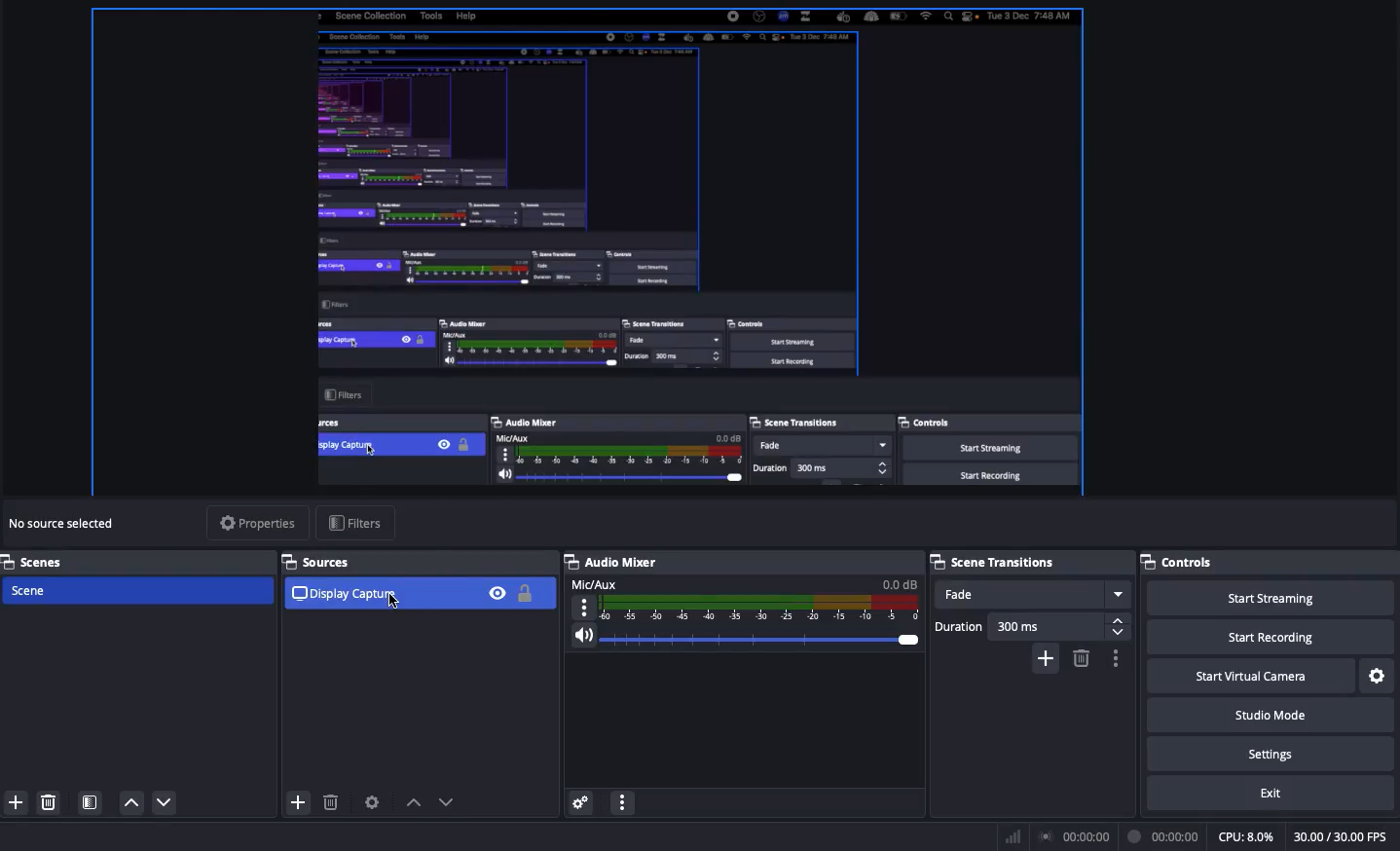  What do you see at coordinates (1029, 627) in the screenshot?
I see `Duration` at bounding box center [1029, 627].